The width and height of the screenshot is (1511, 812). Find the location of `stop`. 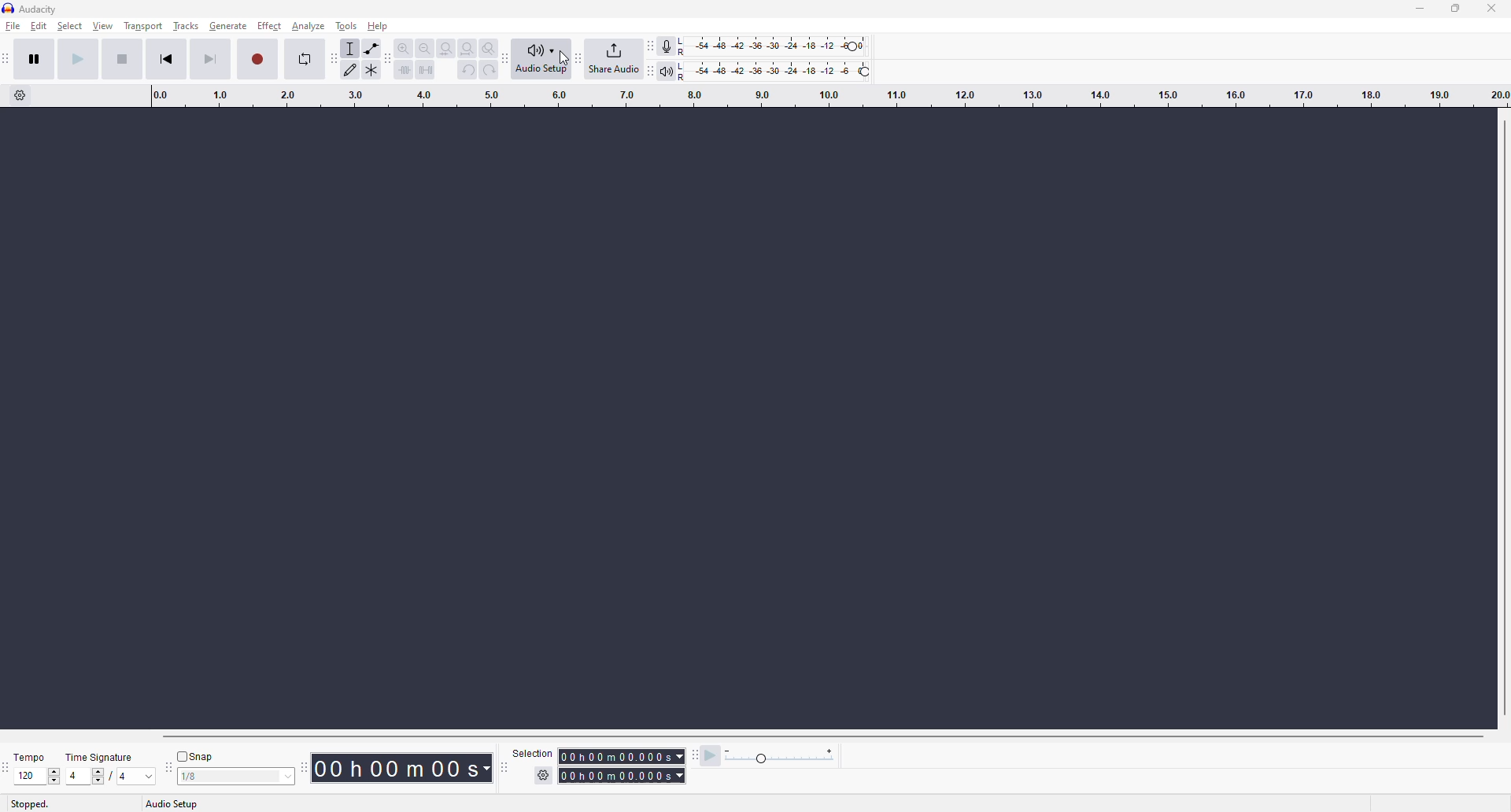

stop is located at coordinates (121, 60).